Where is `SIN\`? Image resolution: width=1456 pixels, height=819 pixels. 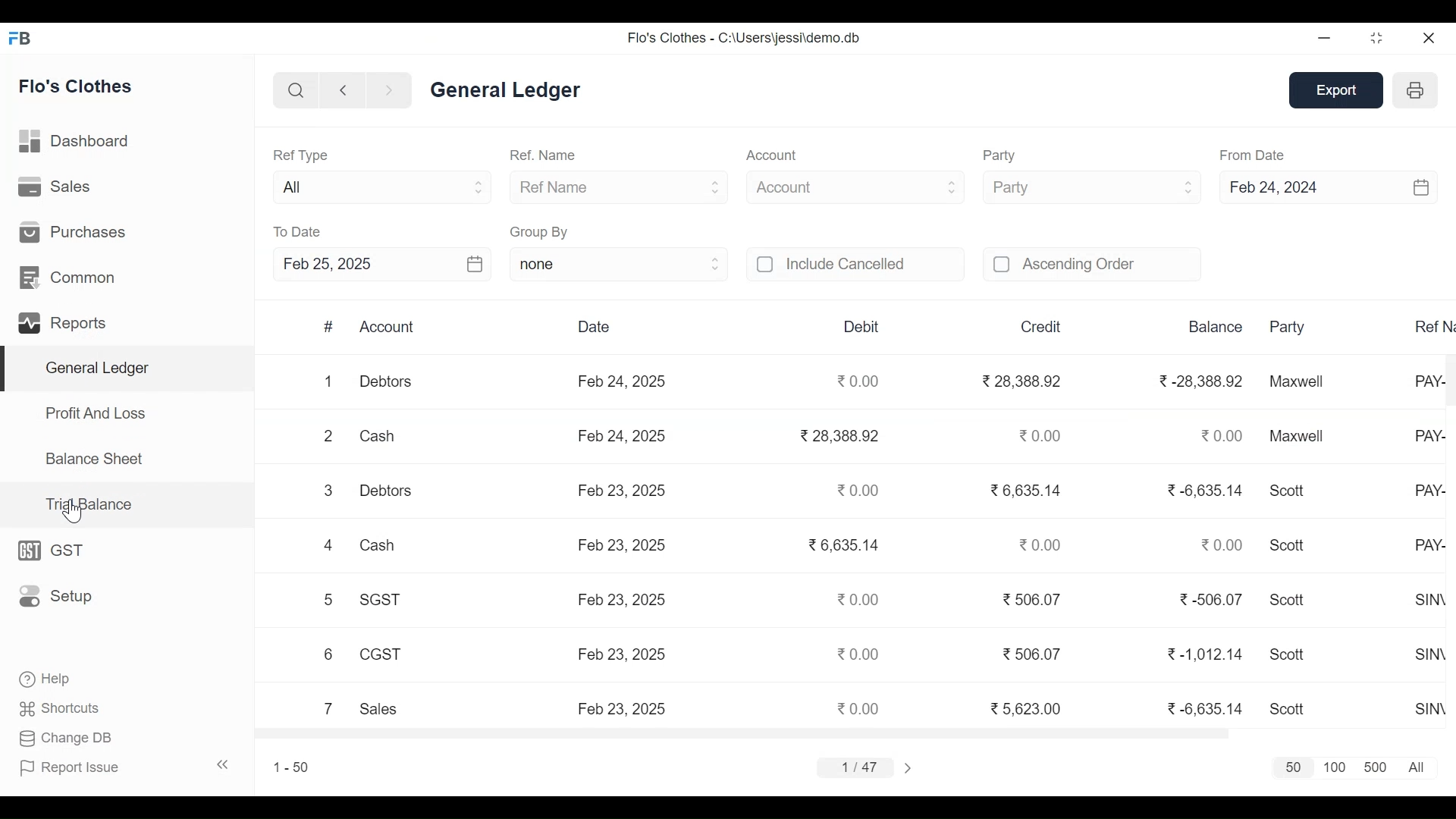 SIN\ is located at coordinates (1431, 600).